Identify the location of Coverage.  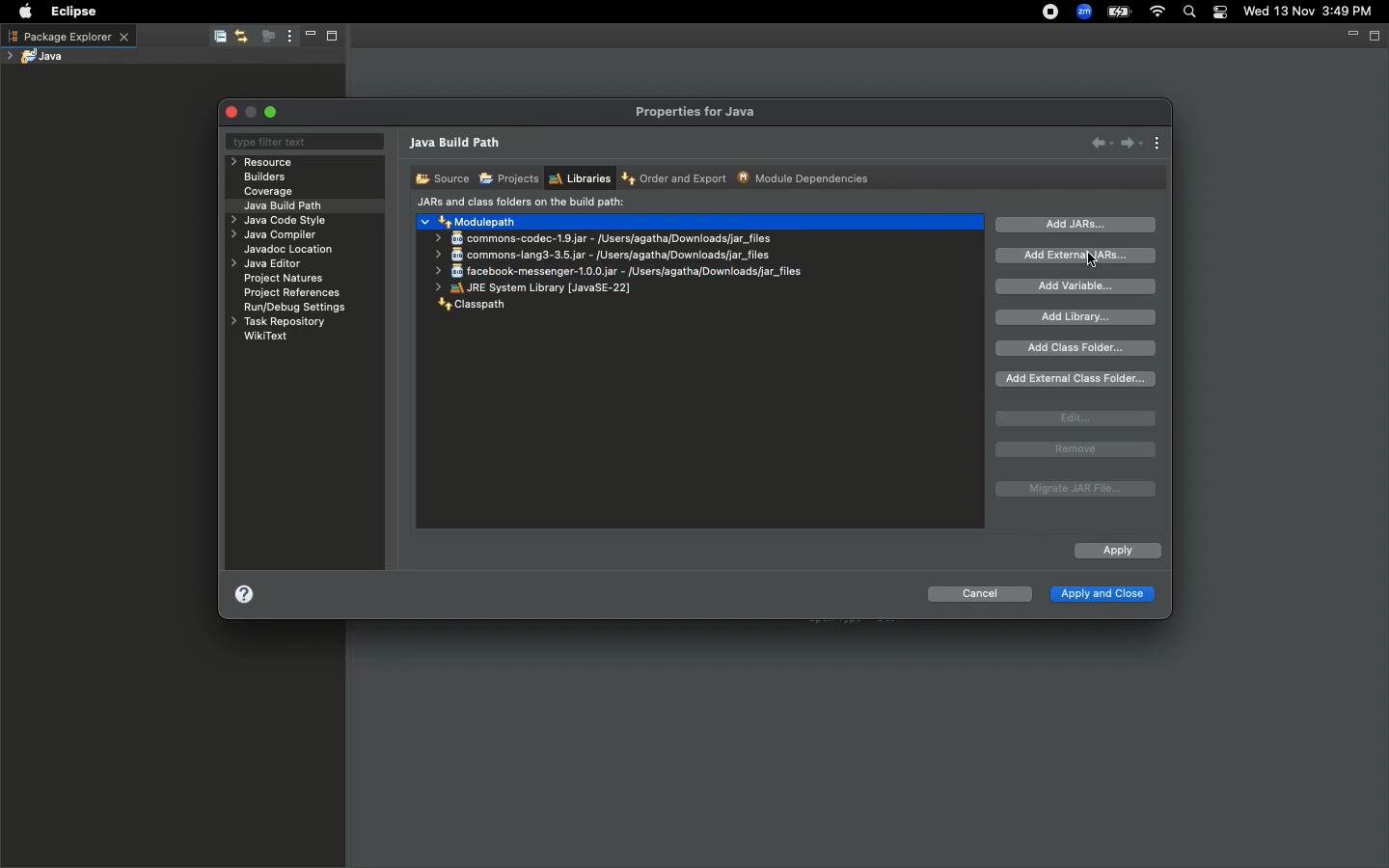
(269, 192).